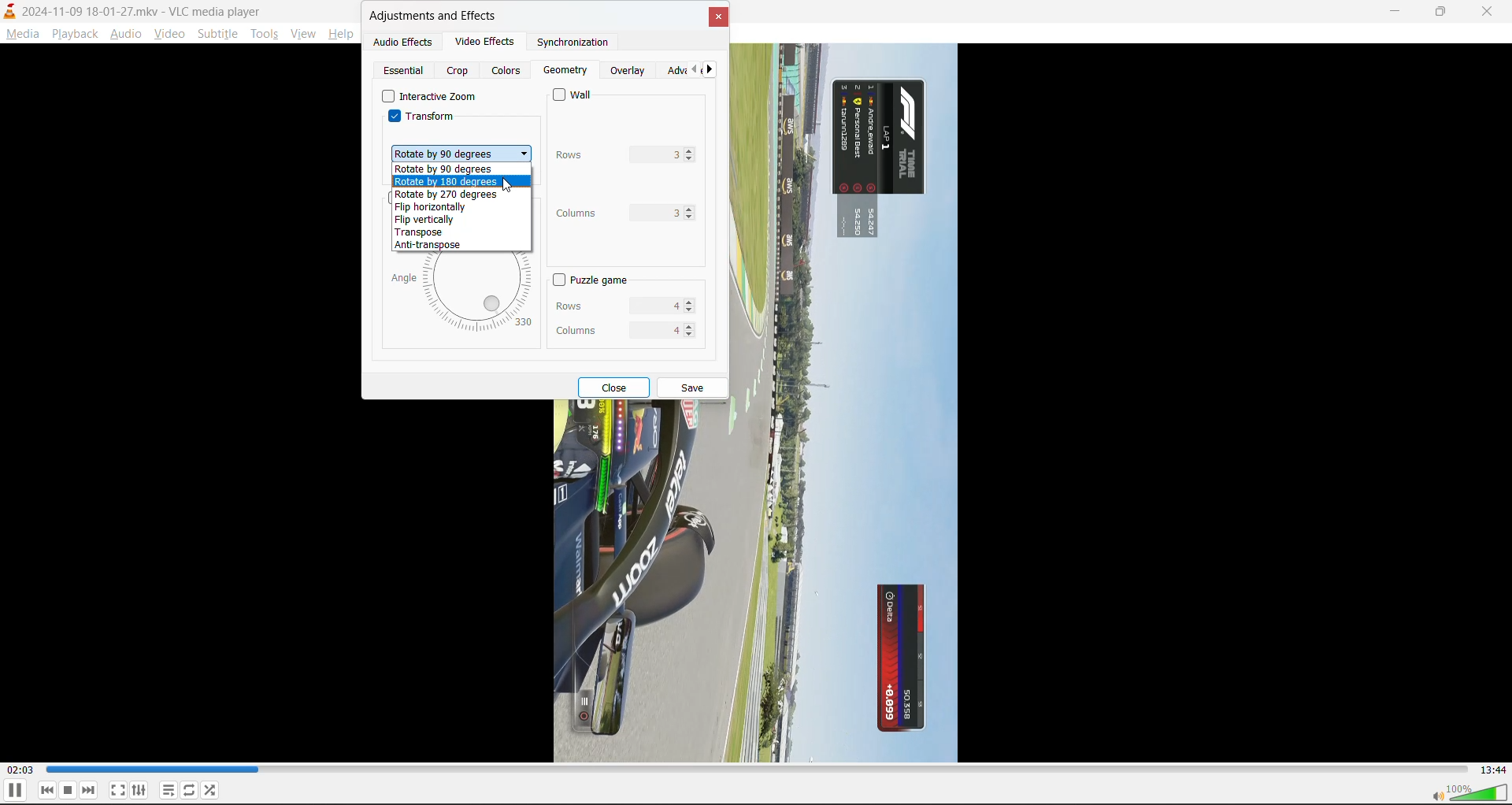 The width and height of the screenshot is (1512, 805). What do you see at coordinates (439, 207) in the screenshot?
I see `flip horizontally` at bounding box center [439, 207].